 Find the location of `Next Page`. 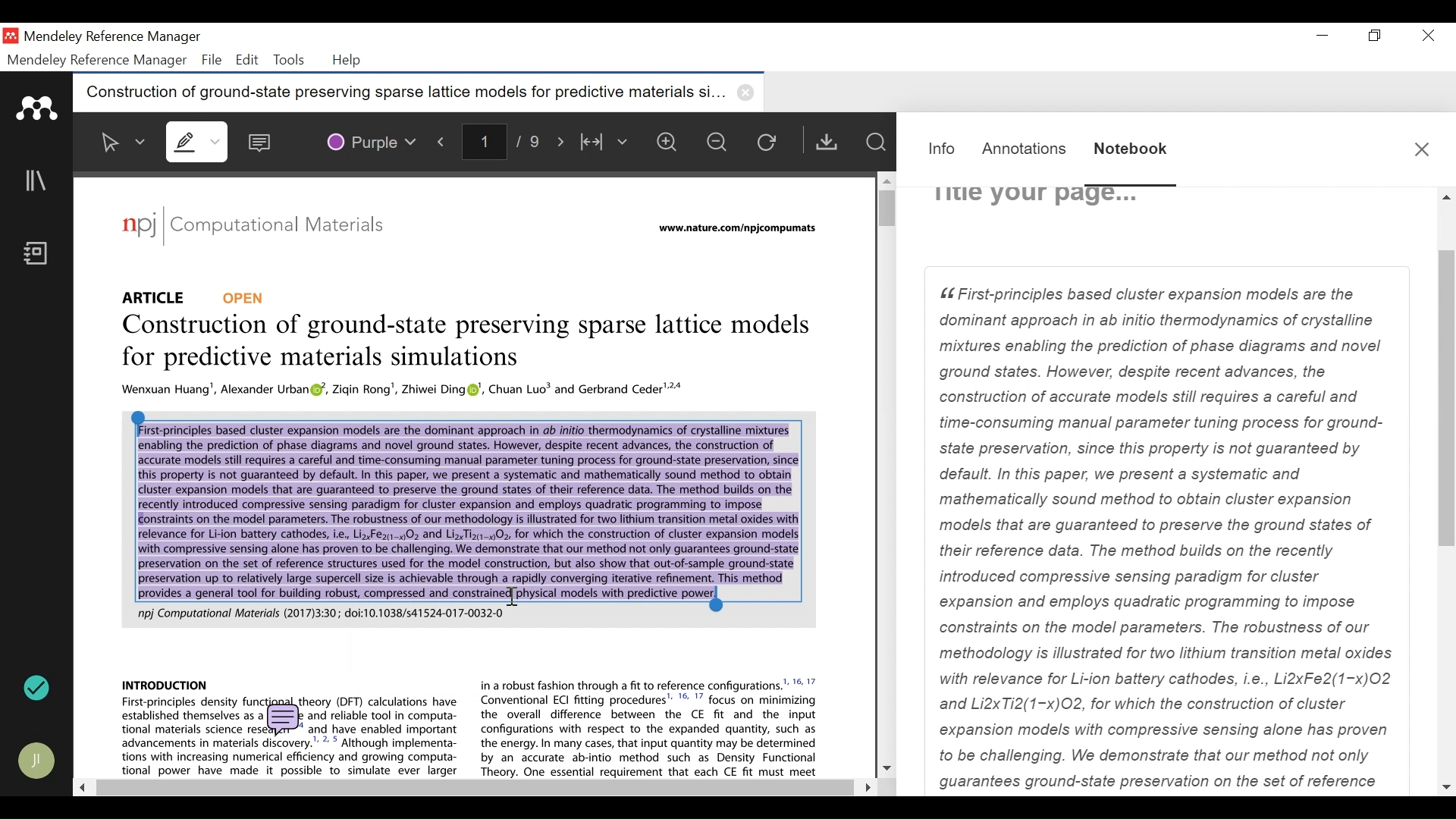

Next Page is located at coordinates (563, 140).